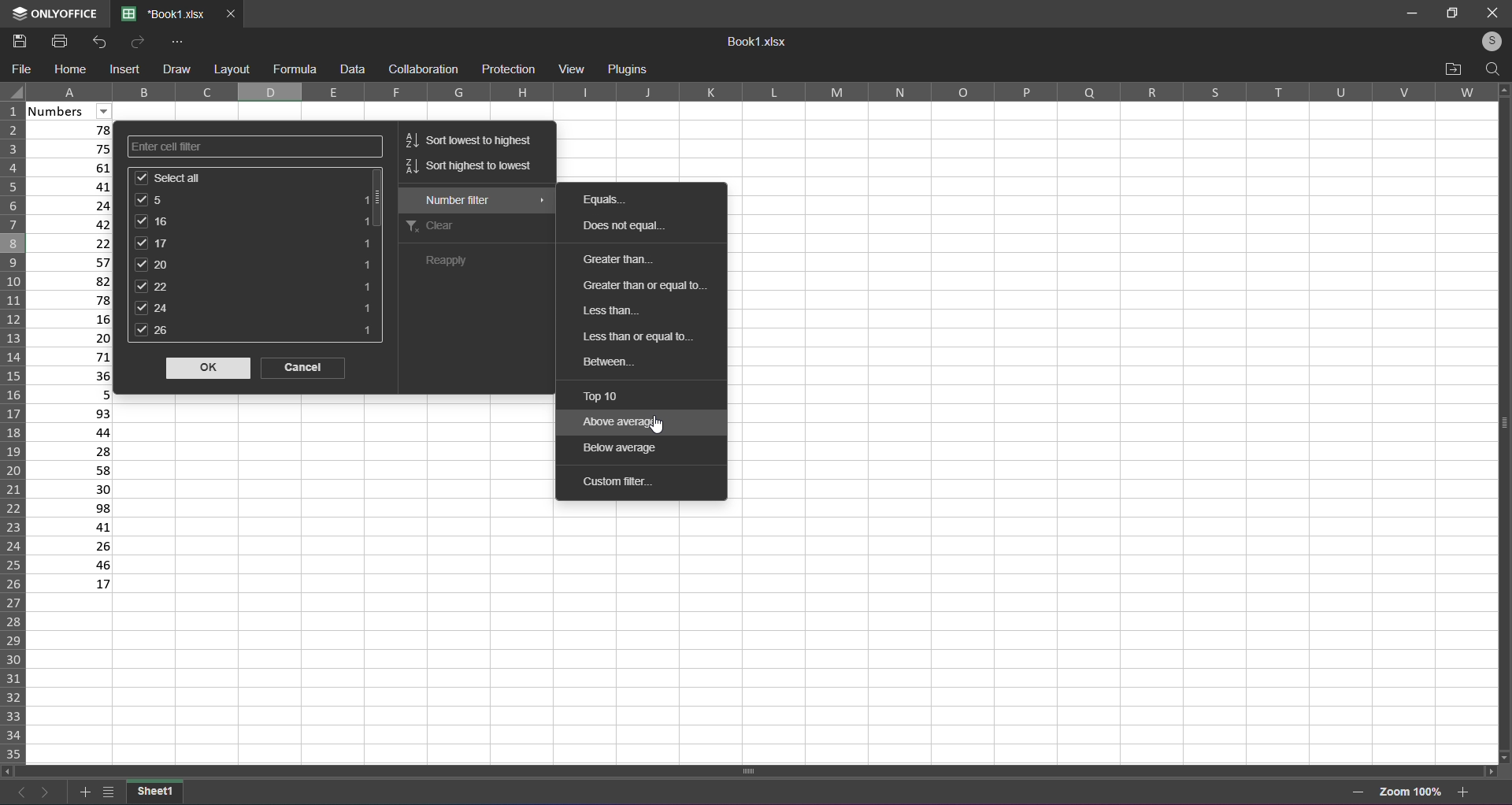 This screenshot has width=1512, height=805. I want to click on Vertical scroll bar, so click(1498, 421).